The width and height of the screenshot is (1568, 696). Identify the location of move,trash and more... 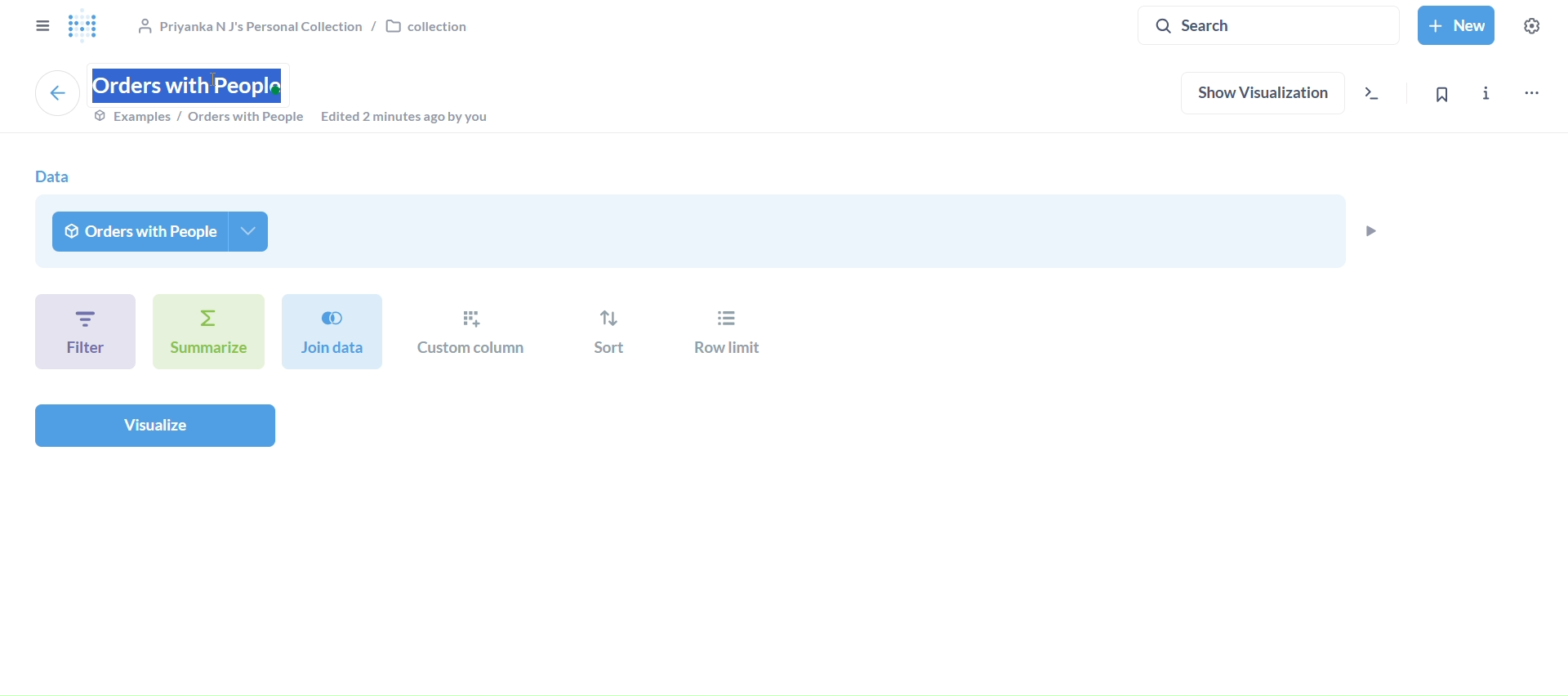
(1531, 94).